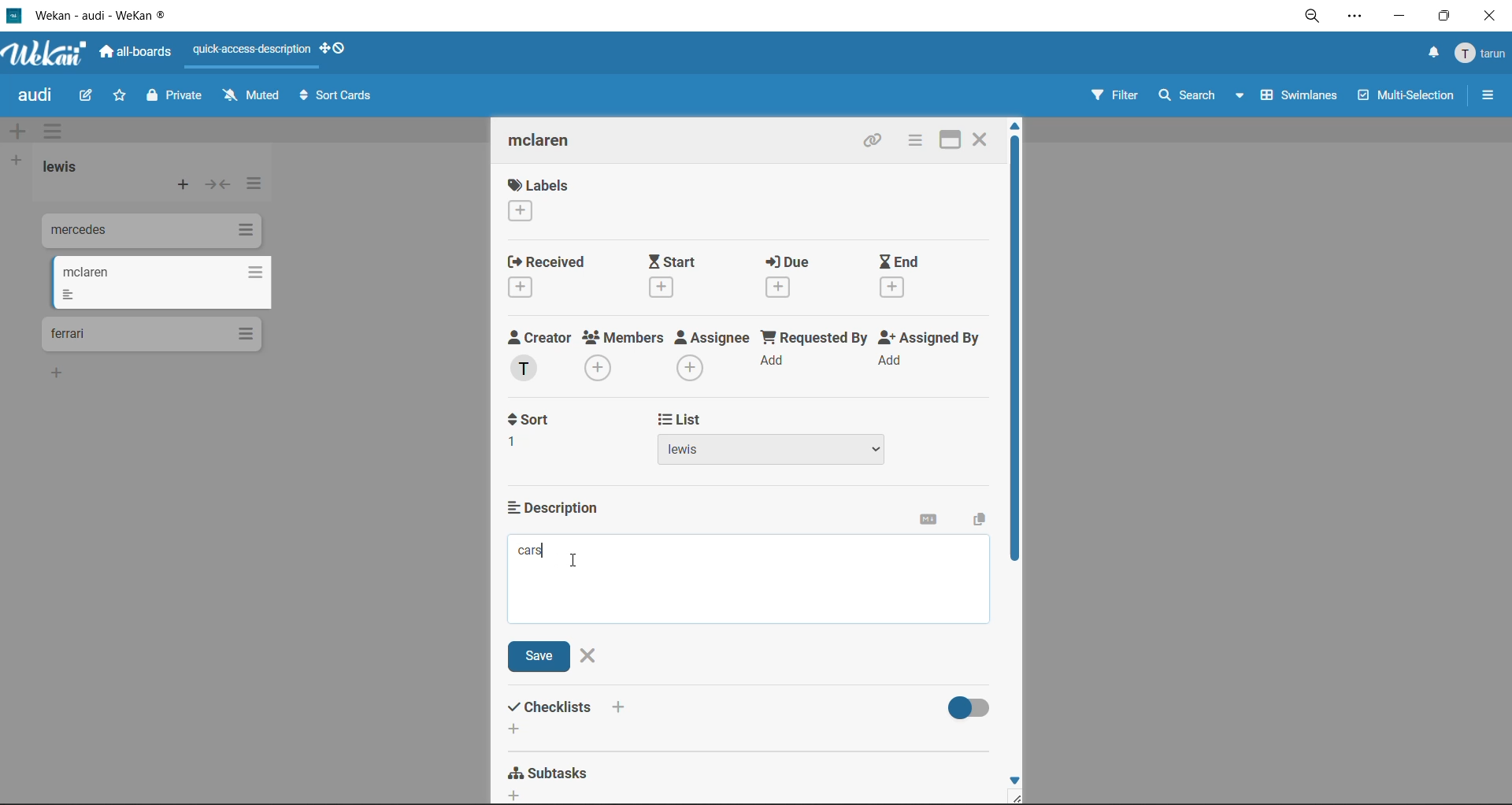 The image size is (1512, 805). What do you see at coordinates (336, 48) in the screenshot?
I see `show desktop drag handles` at bounding box center [336, 48].